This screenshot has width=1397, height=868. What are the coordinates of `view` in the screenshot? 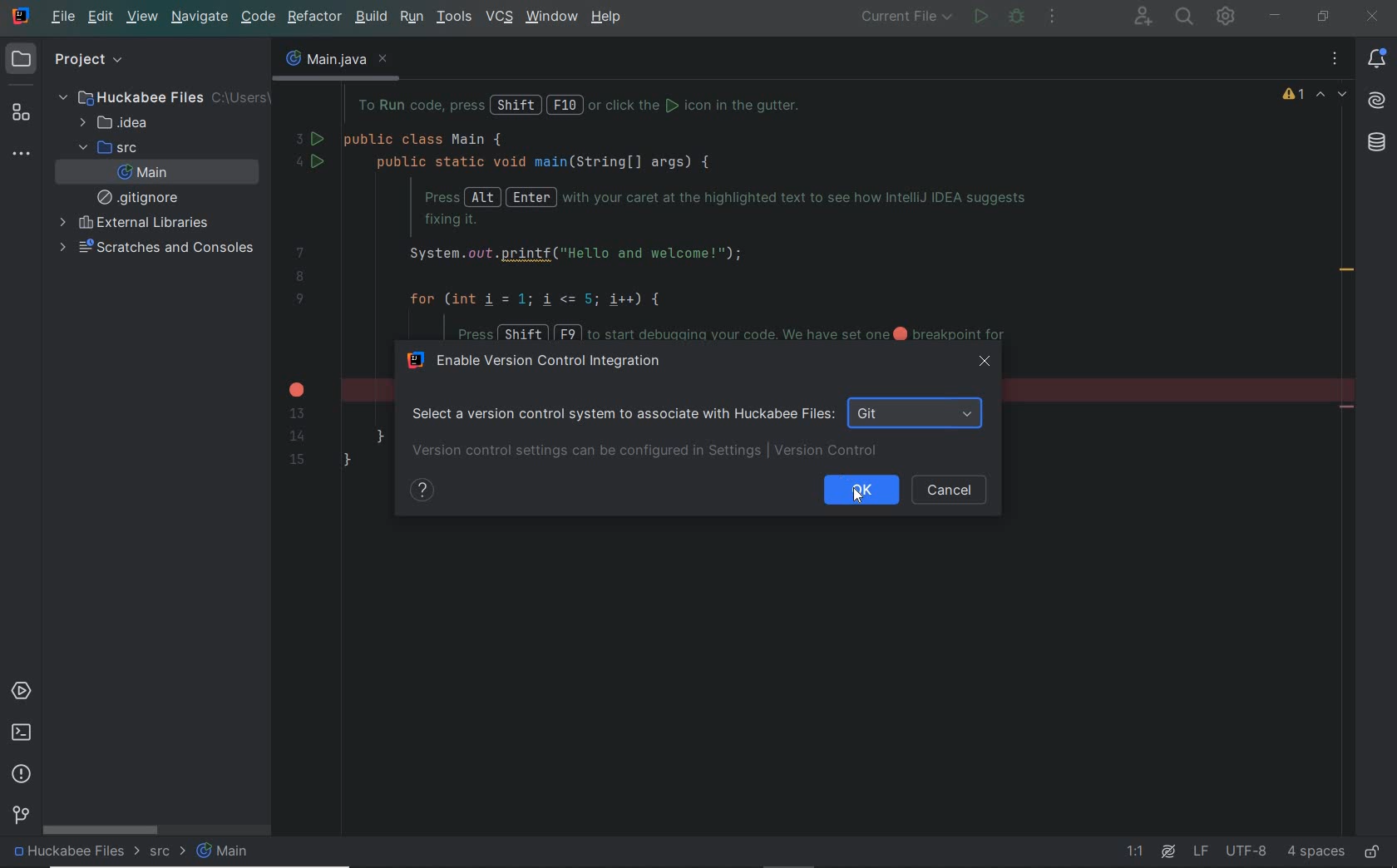 It's located at (143, 18).